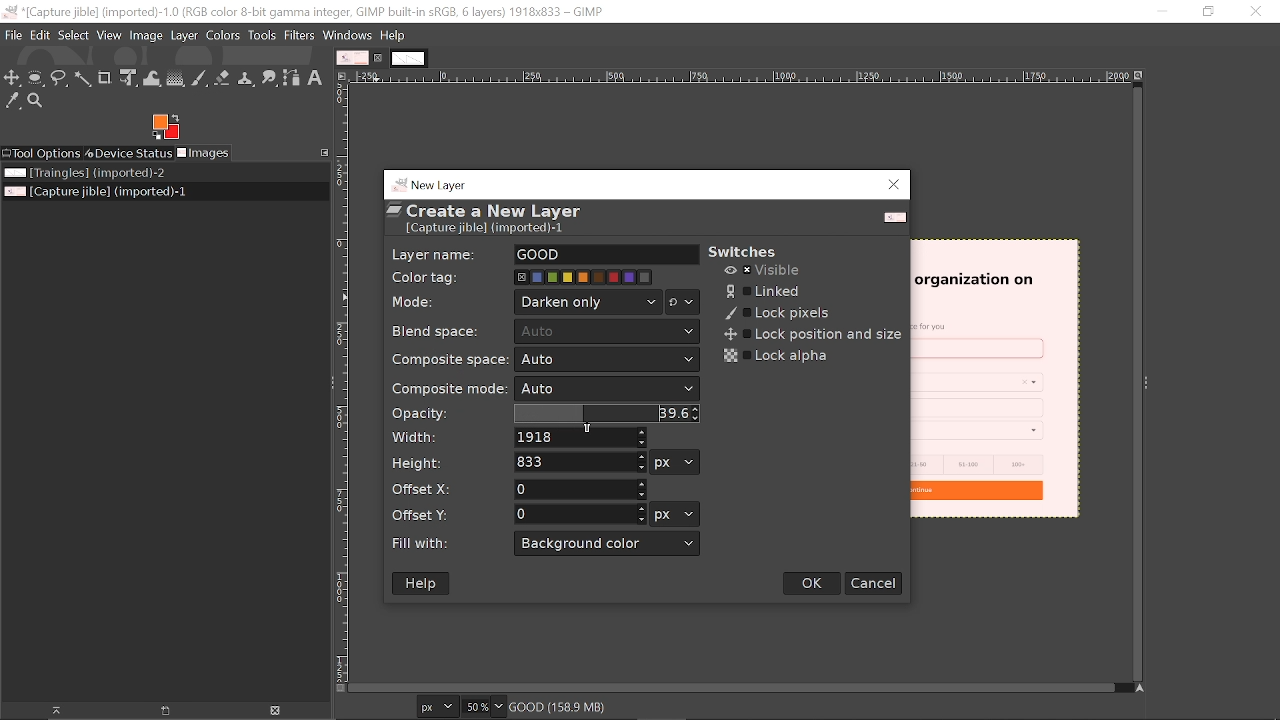 This screenshot has height=720, width=1280. What do you see at coordinates (501, 706) in the screenshot?
I see `Zoom options` at bounding box center [501, 706].